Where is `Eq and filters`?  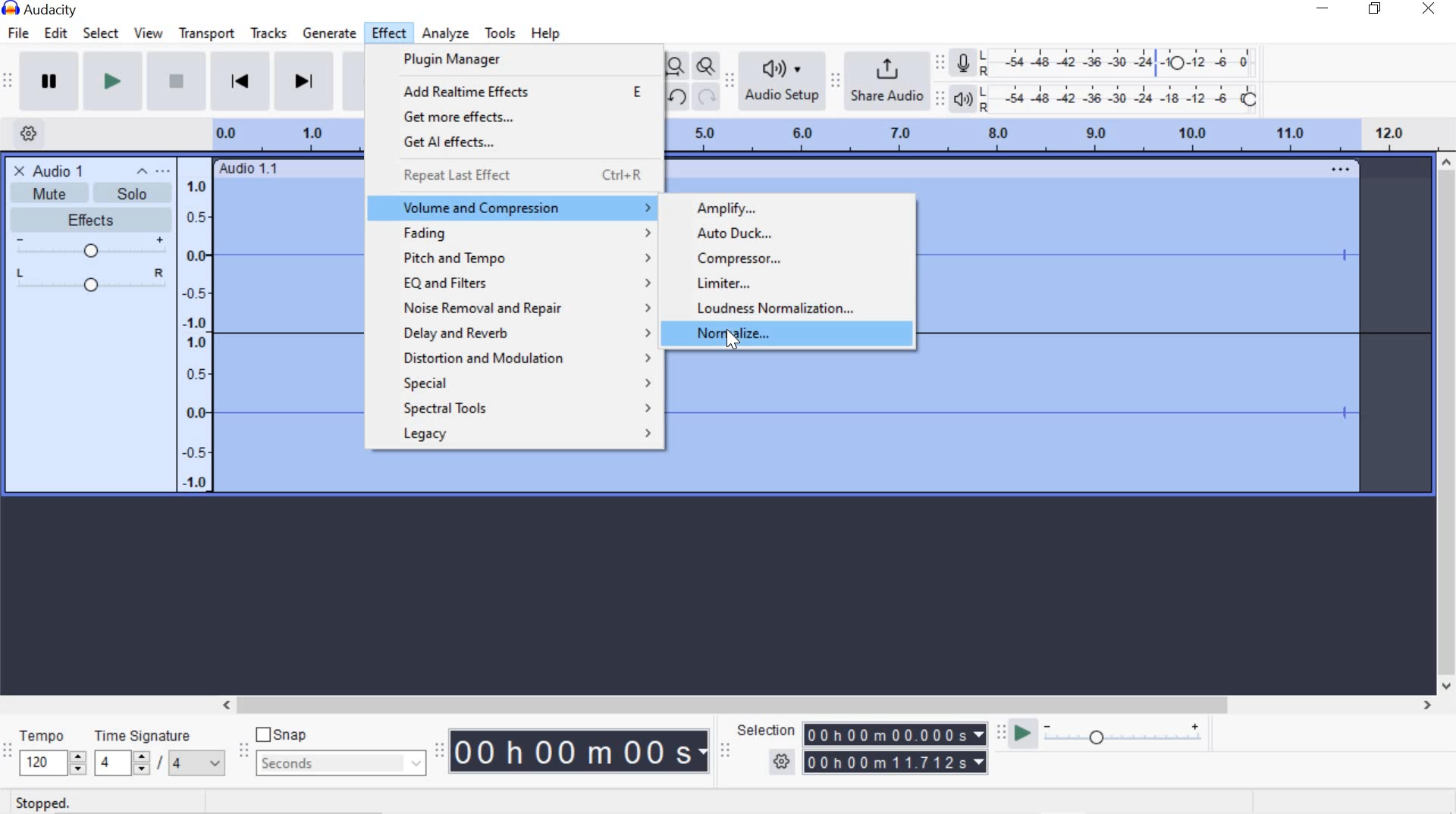
Eq and filters is located at coordinates (529, 283).